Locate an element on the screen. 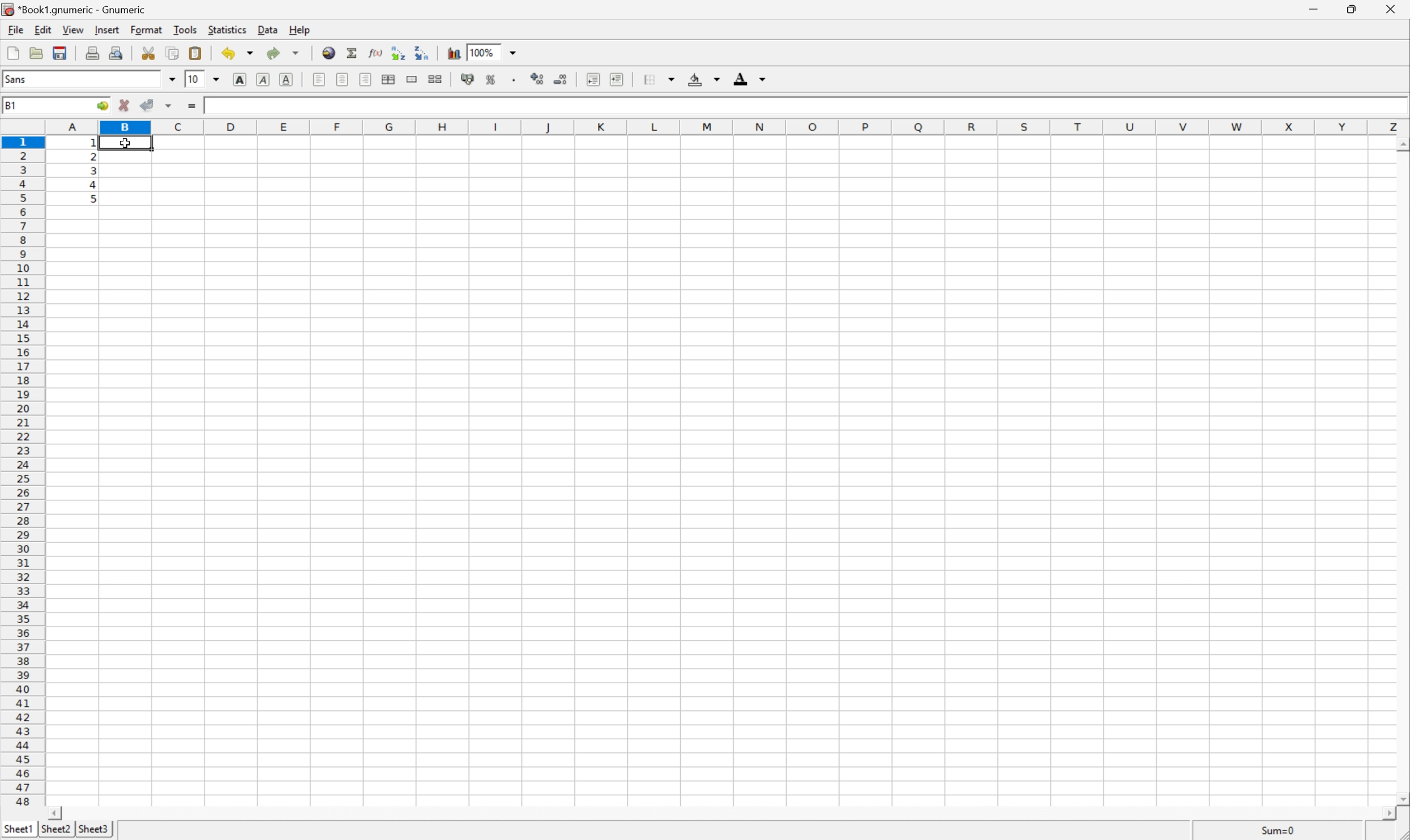 The width and height of the screenshot is (1410, 840). Redo is located at coordinates (288, 52).